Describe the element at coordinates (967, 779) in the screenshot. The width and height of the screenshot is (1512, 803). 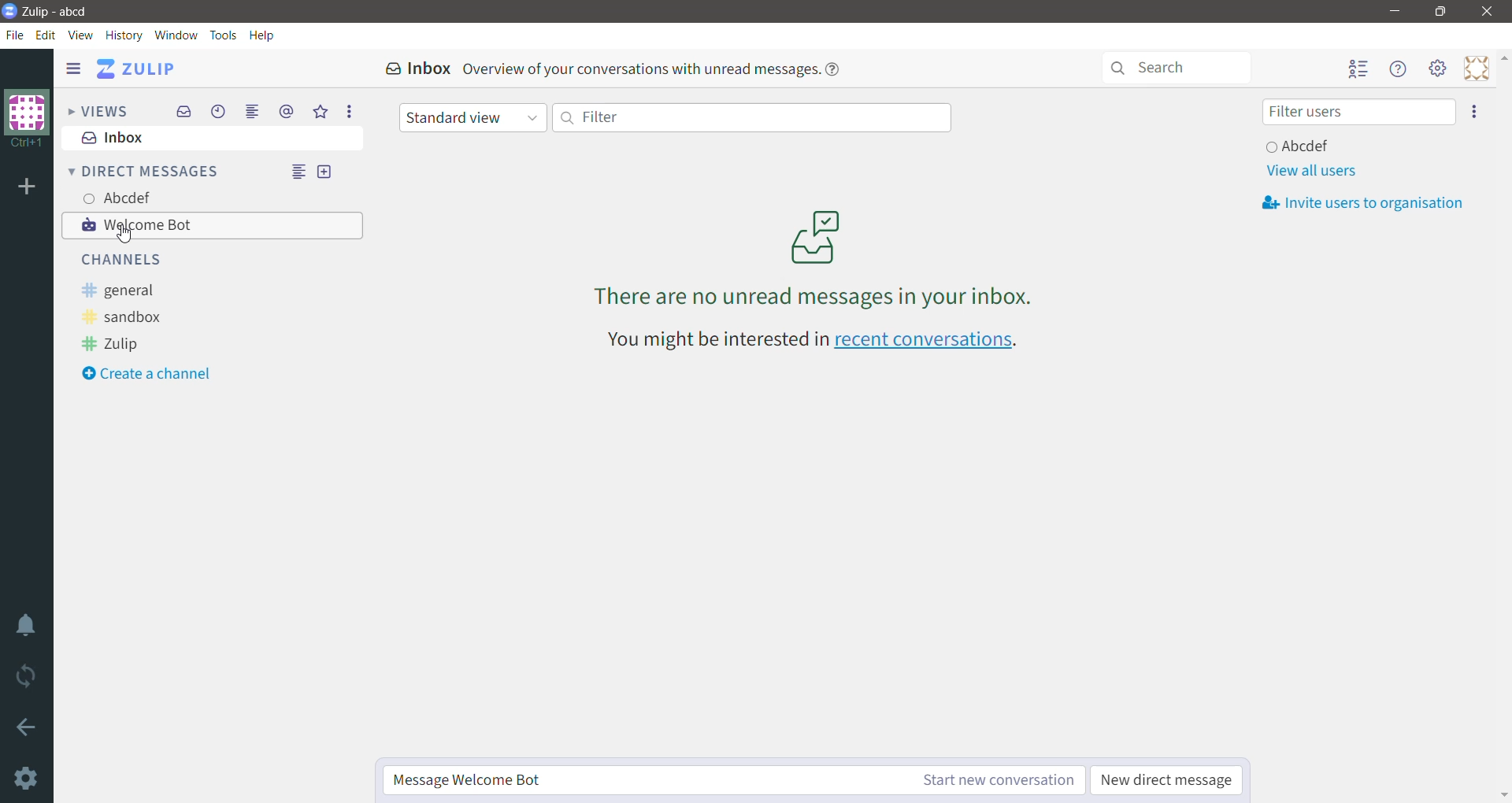
I see `Start new conversation` at that location.